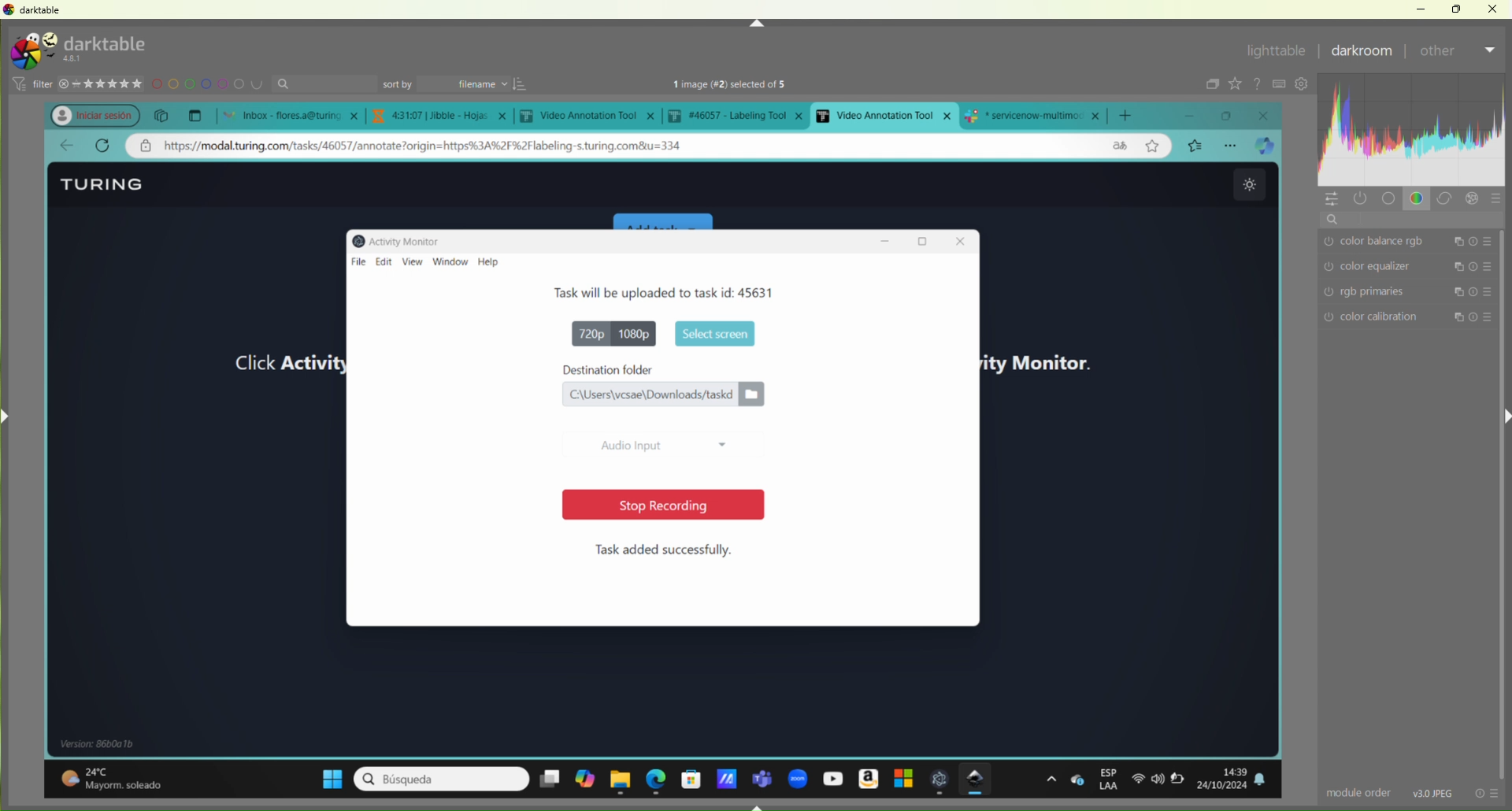 The height and width of the screenshot is (811, 1512). Describe the element at coordinates (412, 262) in the screenshot. I see `view` at that location.